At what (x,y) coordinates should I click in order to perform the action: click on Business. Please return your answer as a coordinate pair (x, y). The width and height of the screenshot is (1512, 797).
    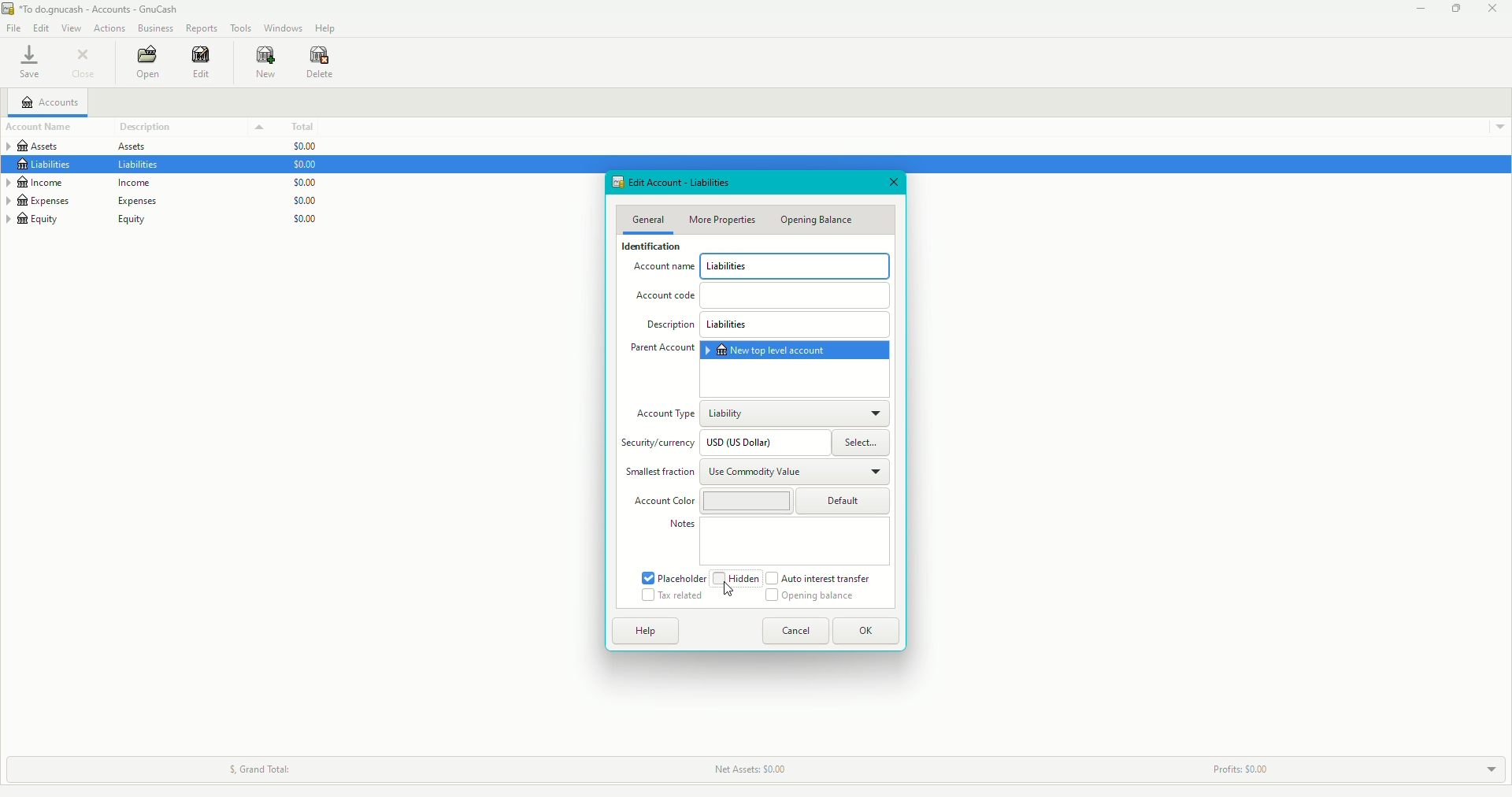
    Looking at the image, I should click on (154, 28).